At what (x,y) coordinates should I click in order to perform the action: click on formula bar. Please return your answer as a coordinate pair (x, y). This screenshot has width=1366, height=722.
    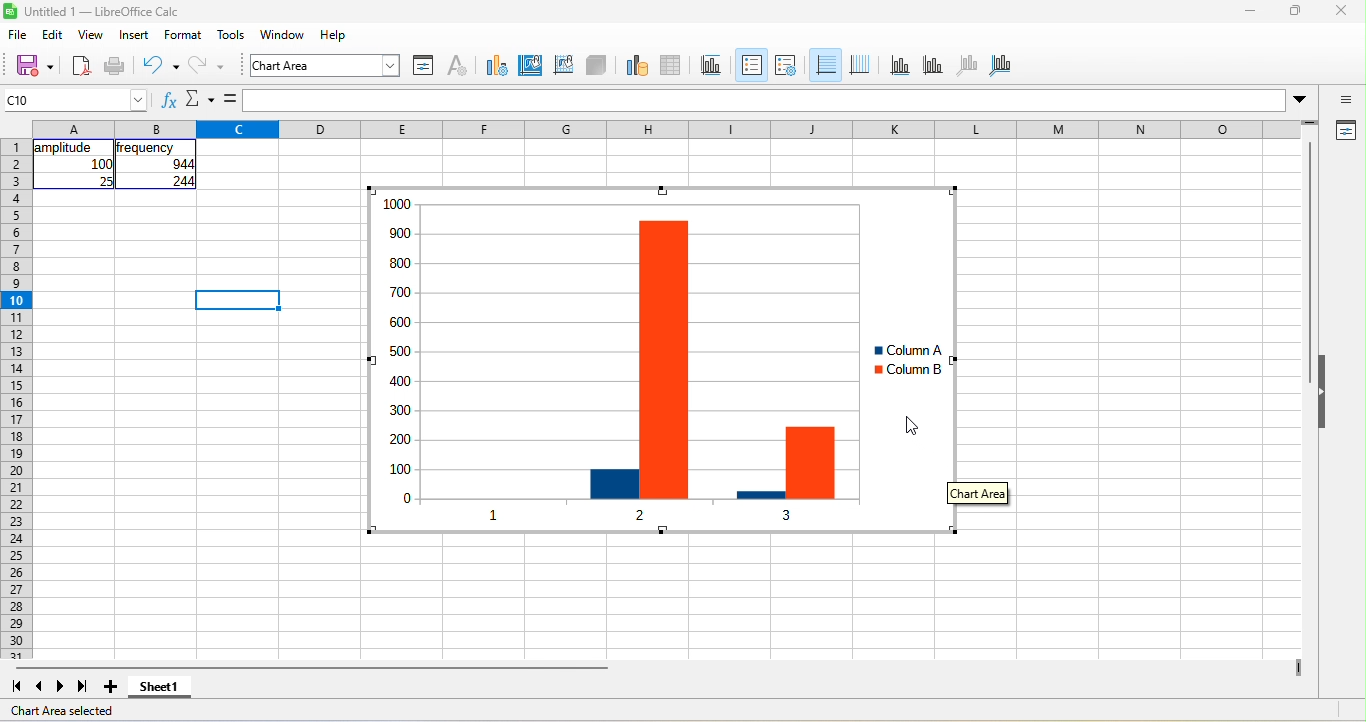
    Looking at the image, I should click on (765, 100).